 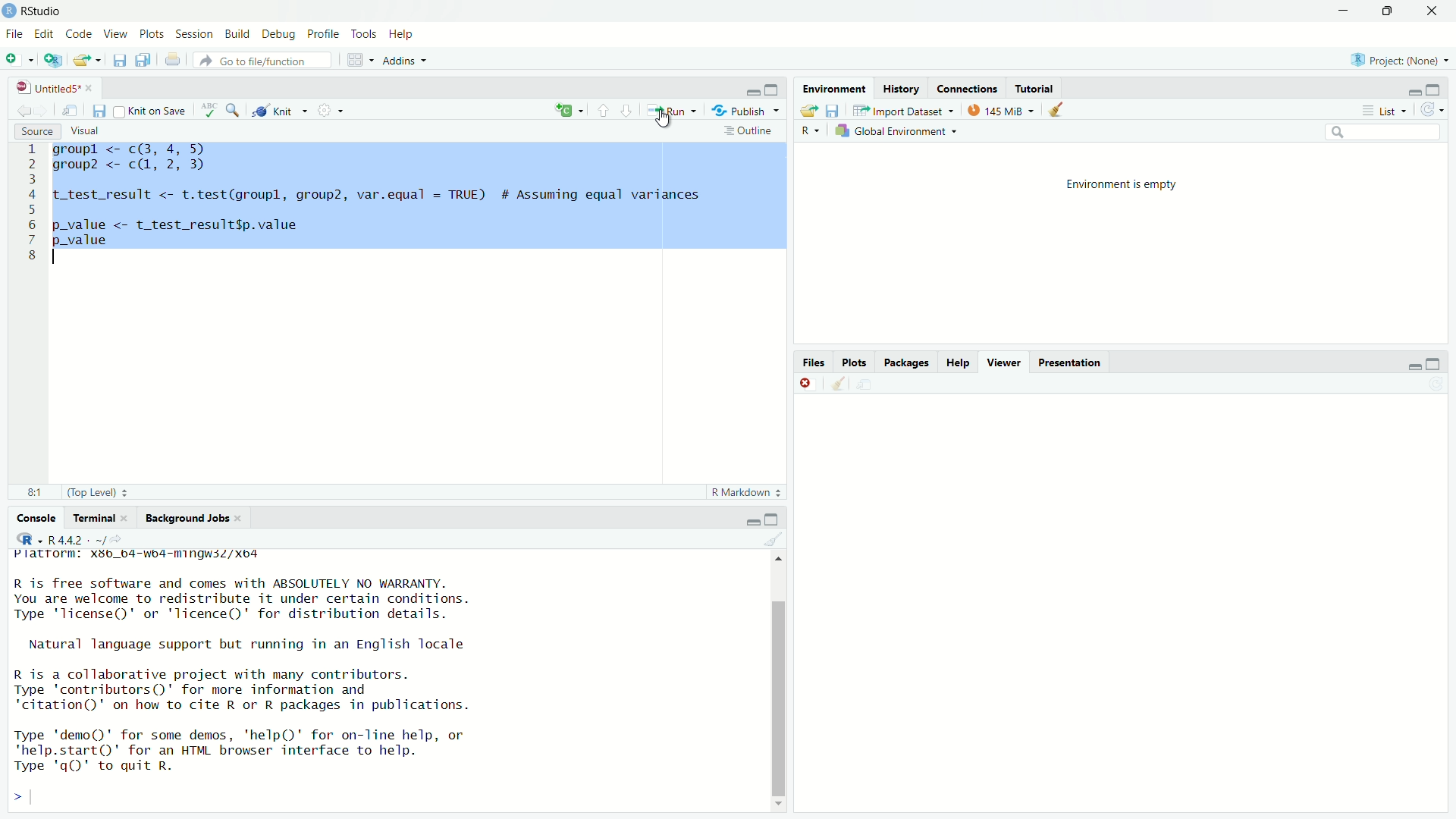 I want to click on clear objects from workspace, so click(x=1059, y=109).